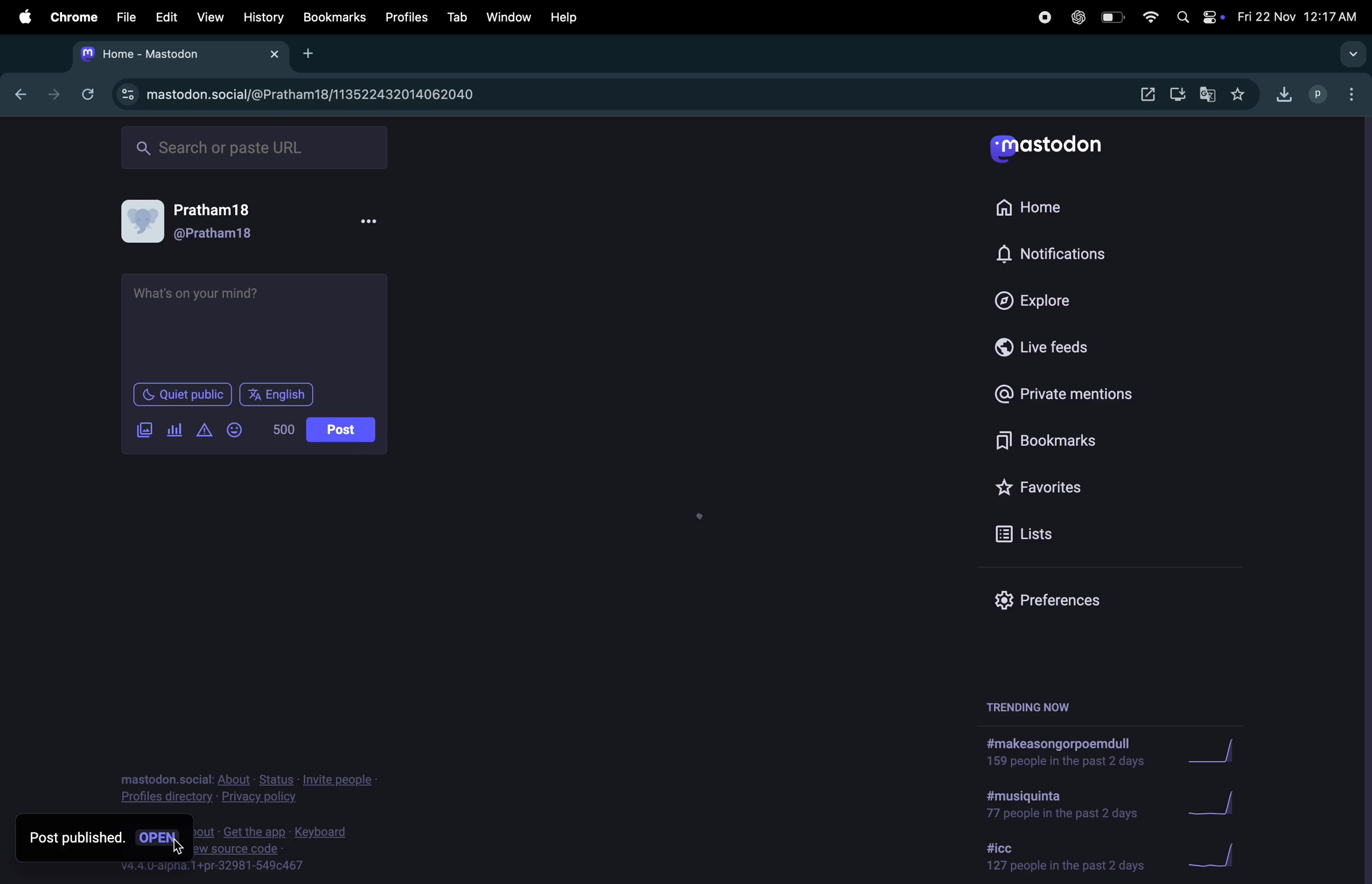 Image resolution: width=1372 pixels, height=884 pixels. What do you see at coordinates (1057, 600) in the screenshot?
I see `preference` at bounding box center [1057, 600].